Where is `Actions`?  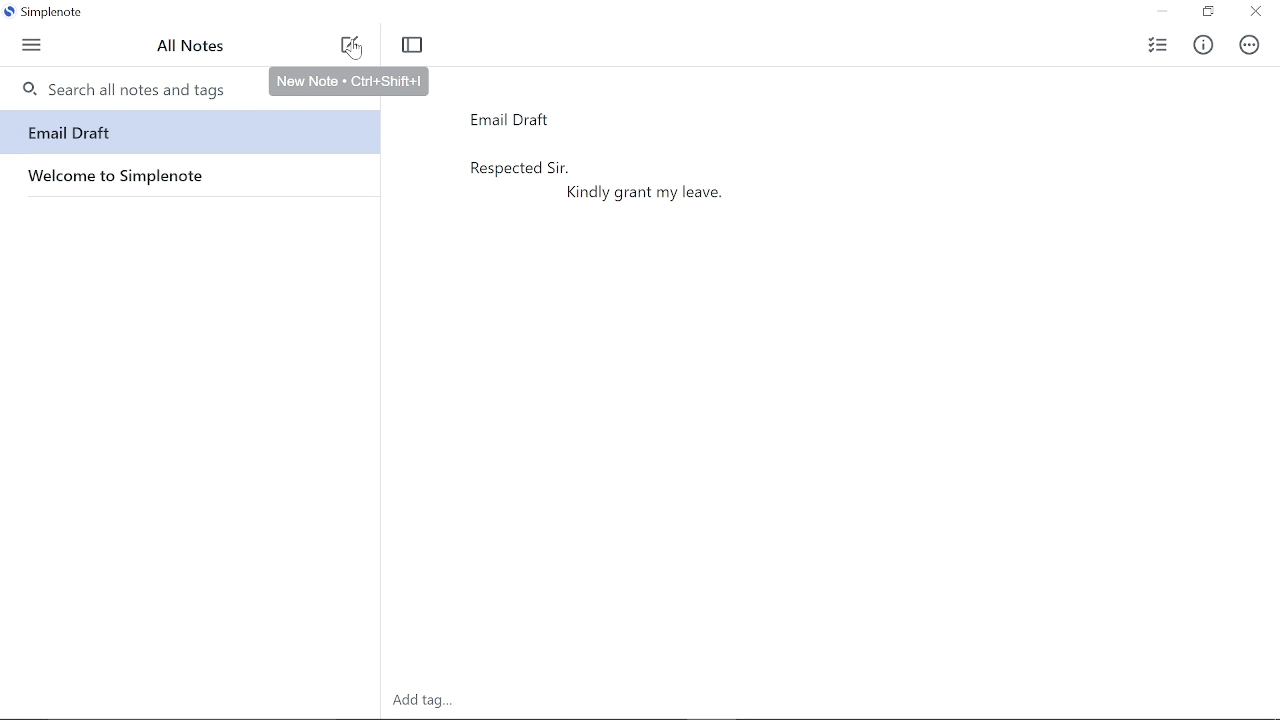 Actions is located at coordinates (1250, 46).